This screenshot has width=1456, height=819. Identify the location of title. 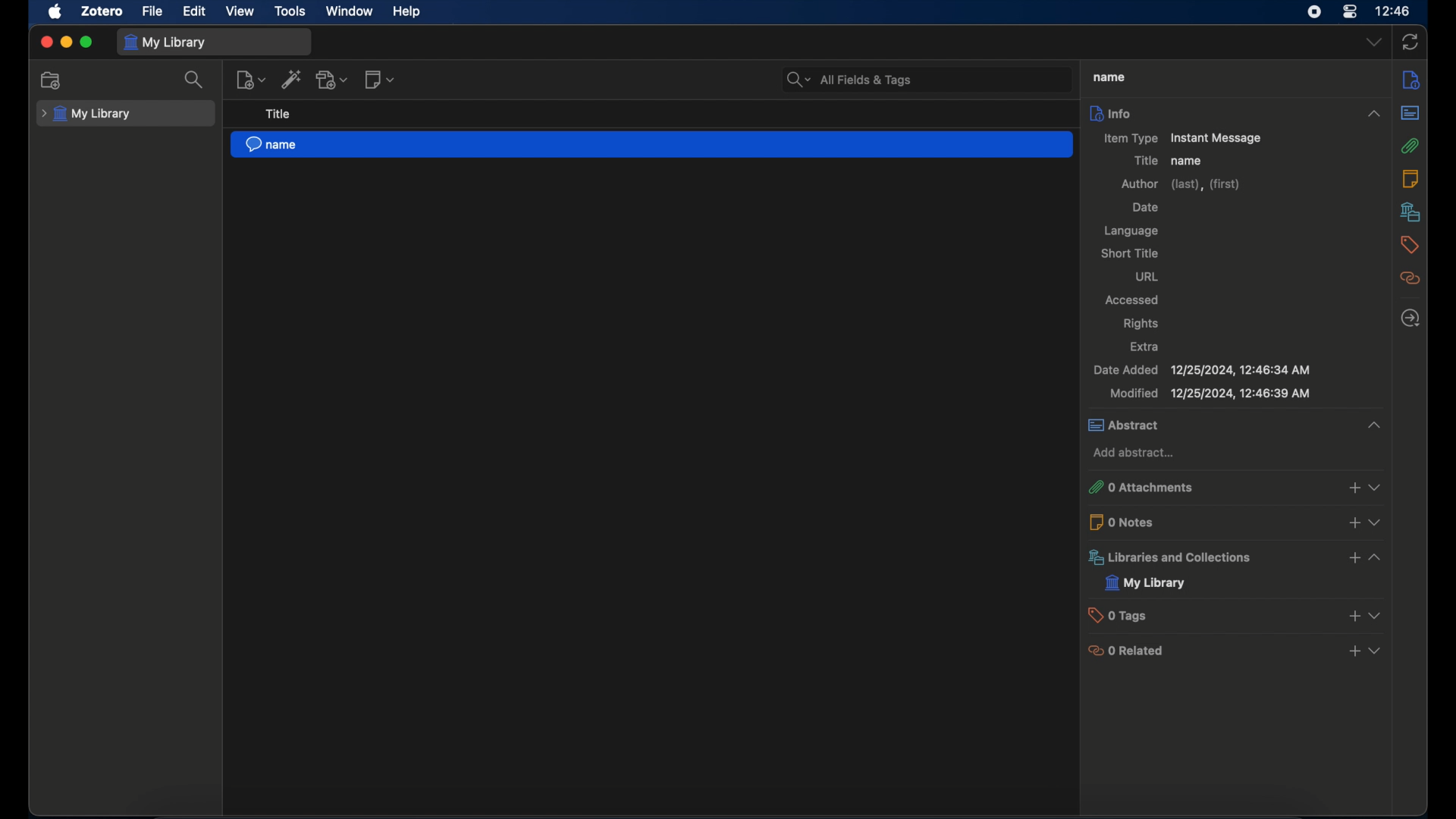
(277, 114).